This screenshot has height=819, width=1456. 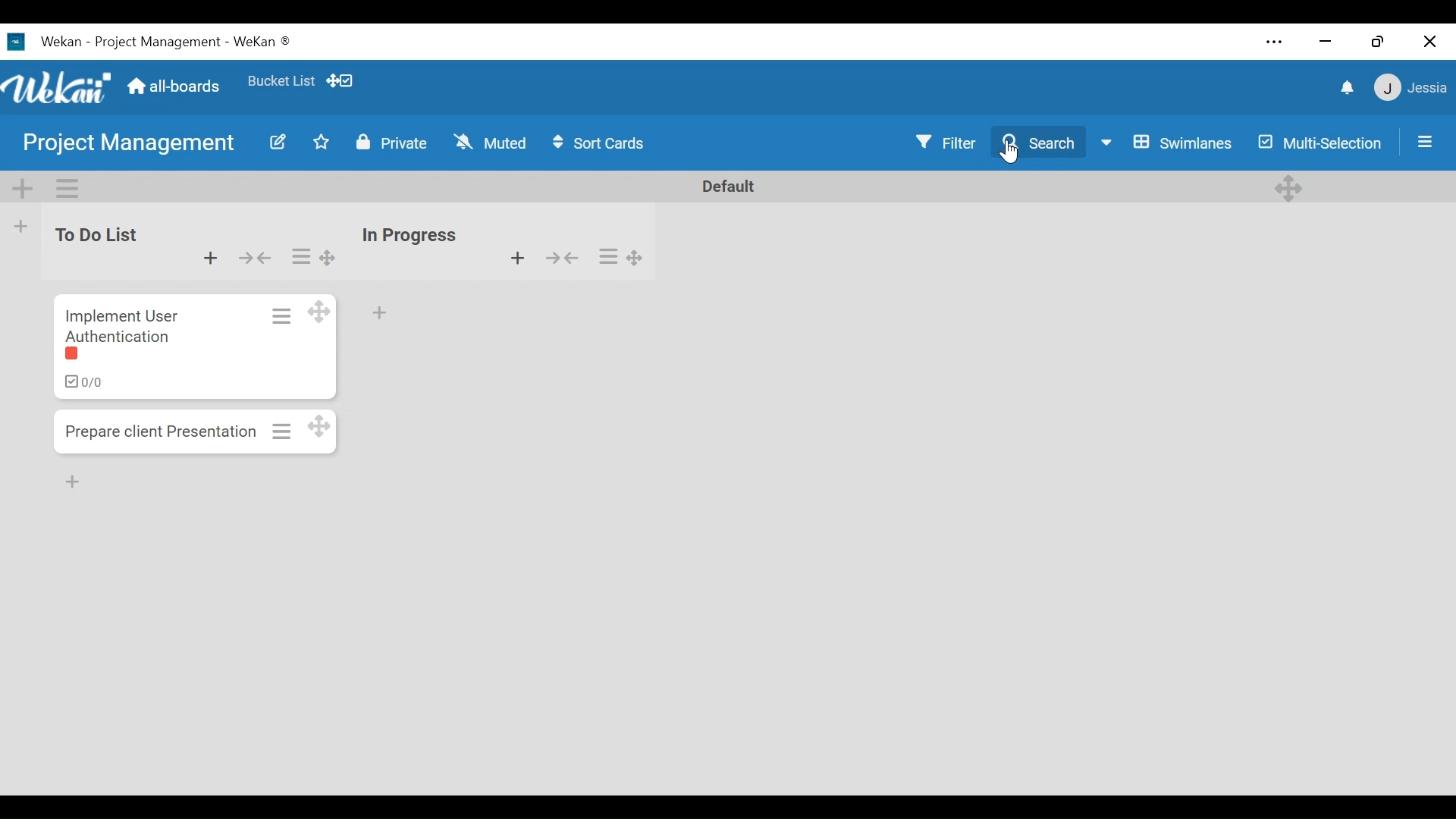 What do you see at coordinates (1428, 42) in the screenshot?
I see `Close` at bounding box center [1428, 42].